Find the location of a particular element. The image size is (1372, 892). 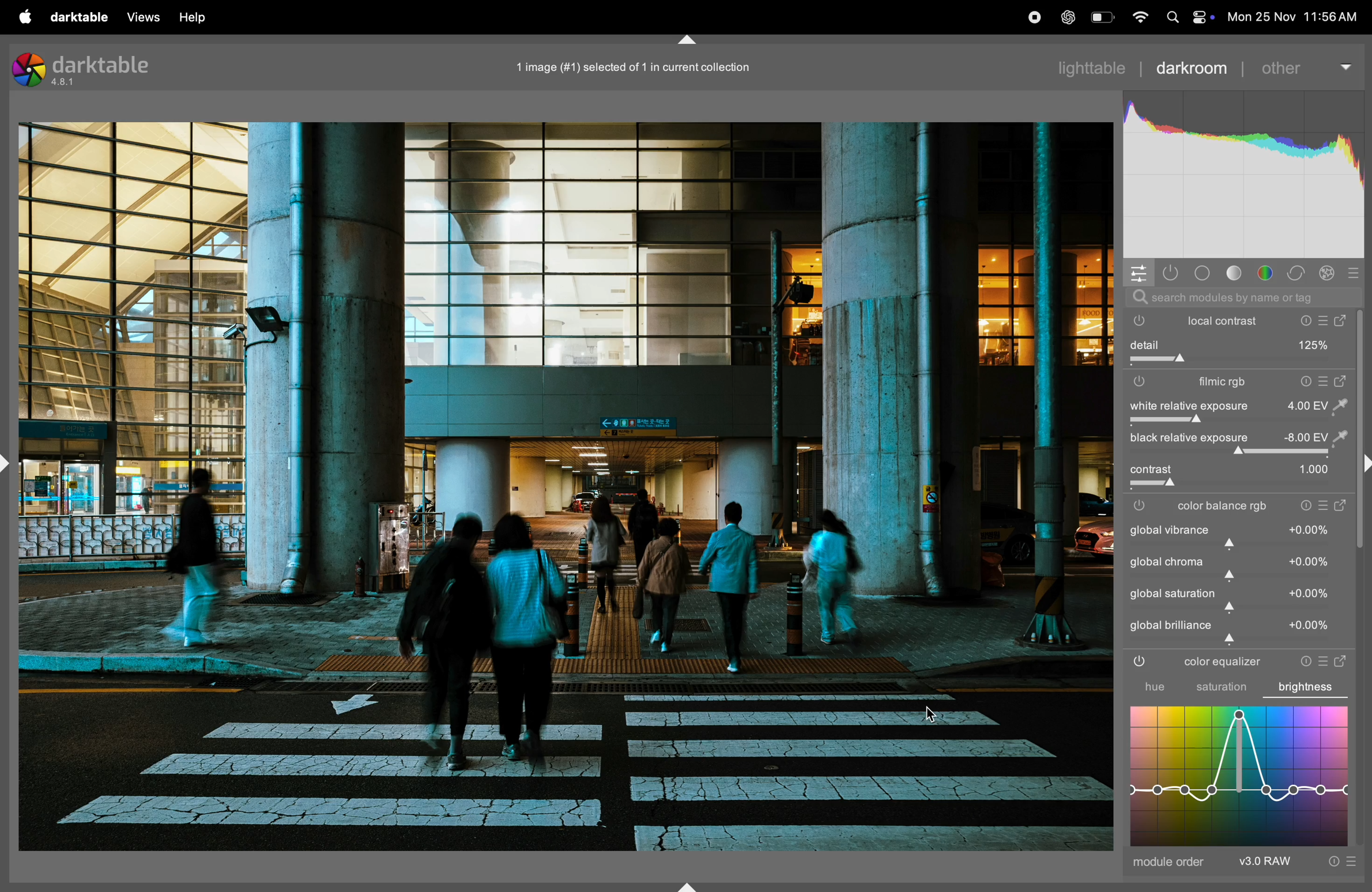

open window is located at coordinates (1342, 507).